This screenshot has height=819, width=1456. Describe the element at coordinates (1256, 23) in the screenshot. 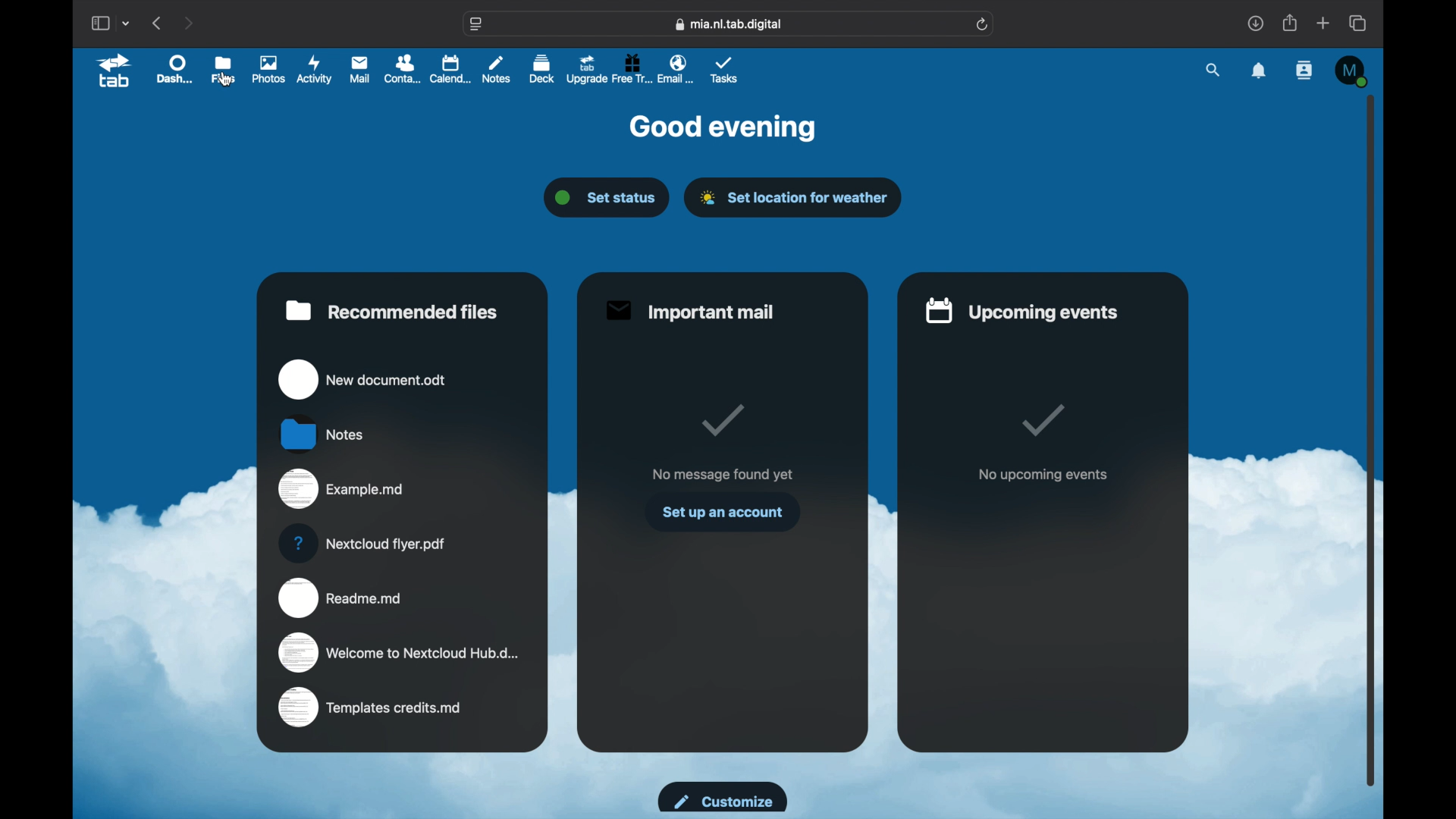

I see `downloads` at that location.